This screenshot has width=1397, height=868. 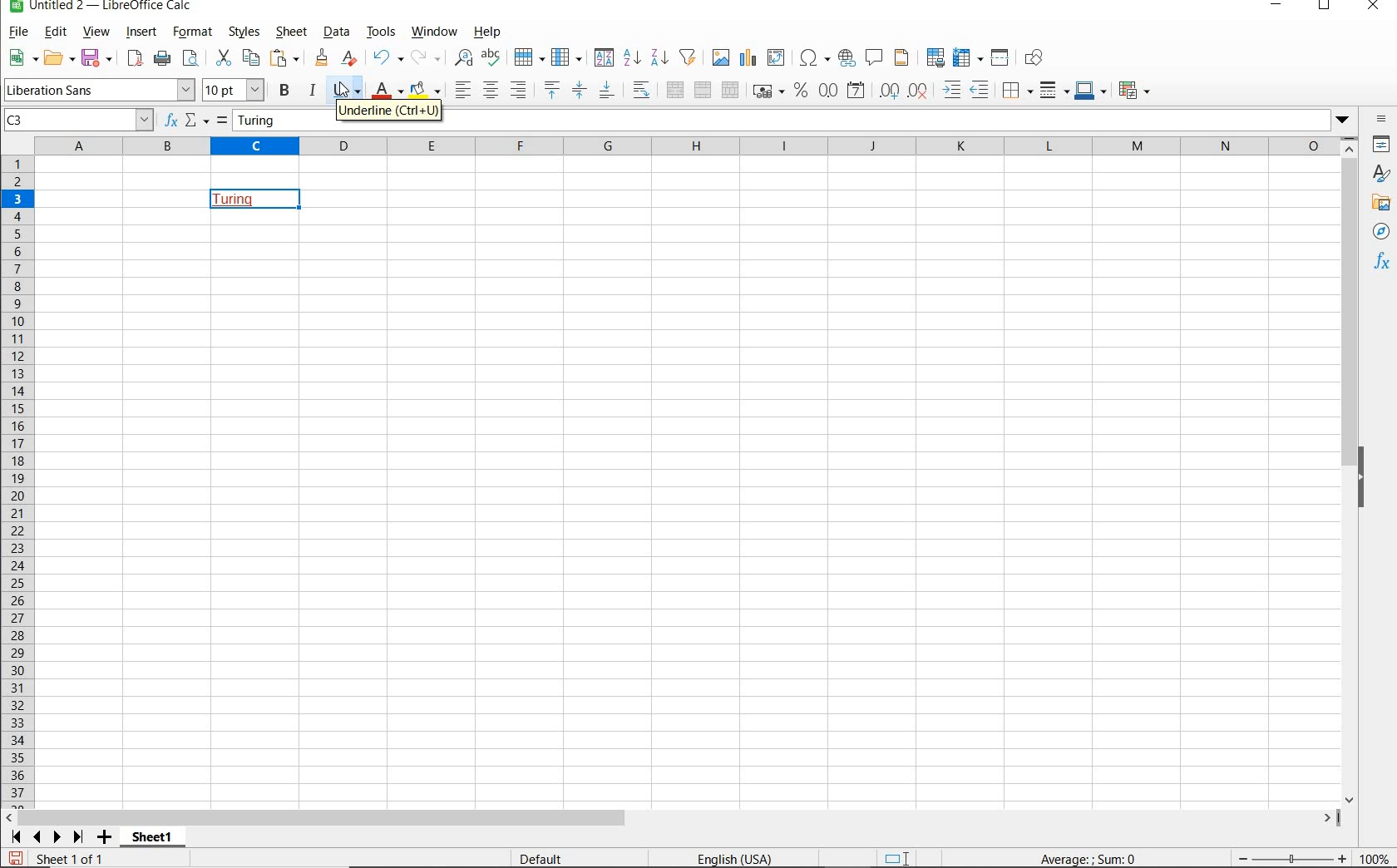 I want to click on CUT, so click(x=223, y=59).